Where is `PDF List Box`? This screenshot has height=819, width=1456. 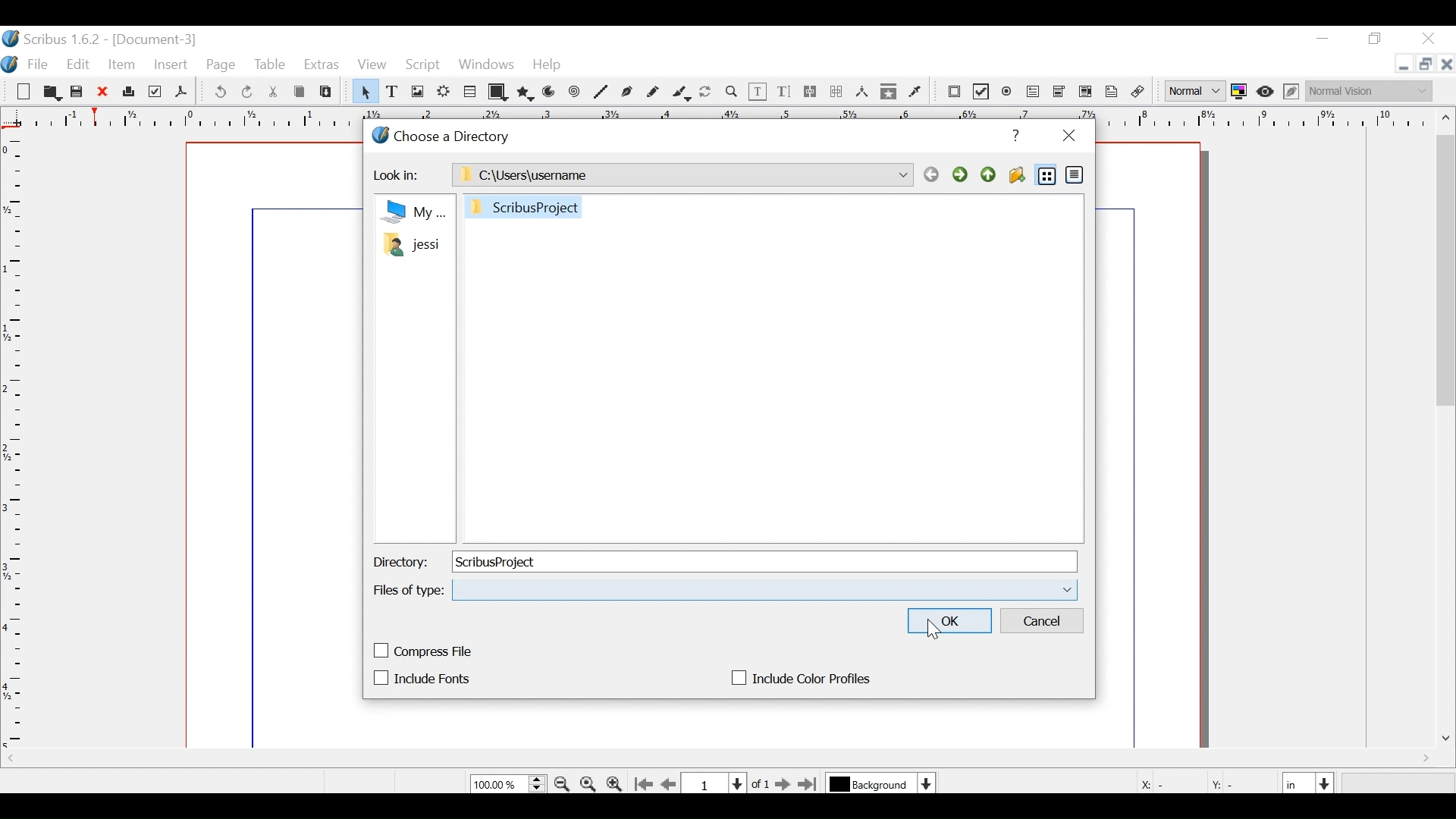 PDF List Box is located at coordinates (1087, 93).